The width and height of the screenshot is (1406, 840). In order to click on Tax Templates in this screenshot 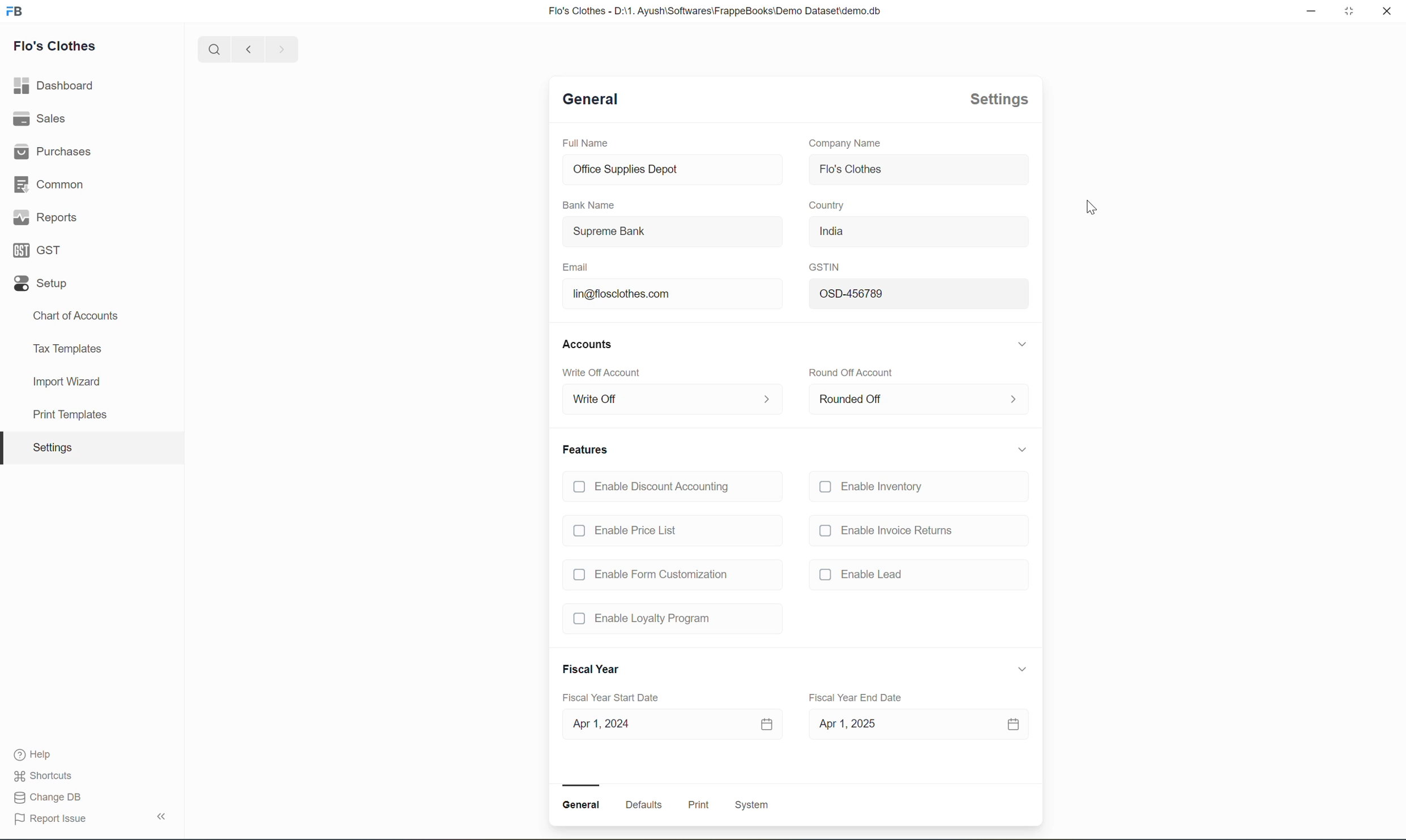, I will do `click(67, 350)`.